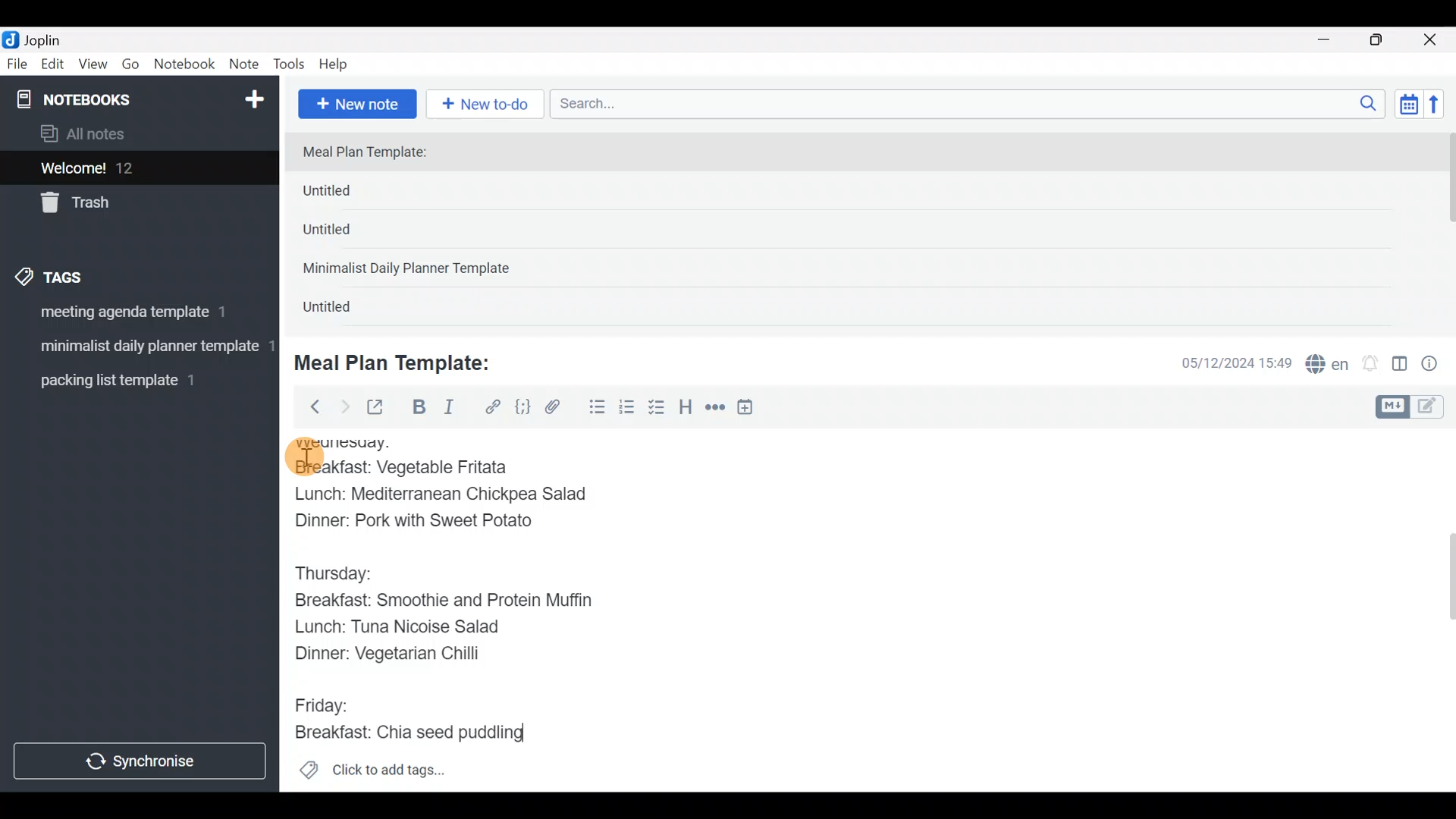 This screenshot has width=1456, height=819. I want to click on Notebook, so click(185, 64).